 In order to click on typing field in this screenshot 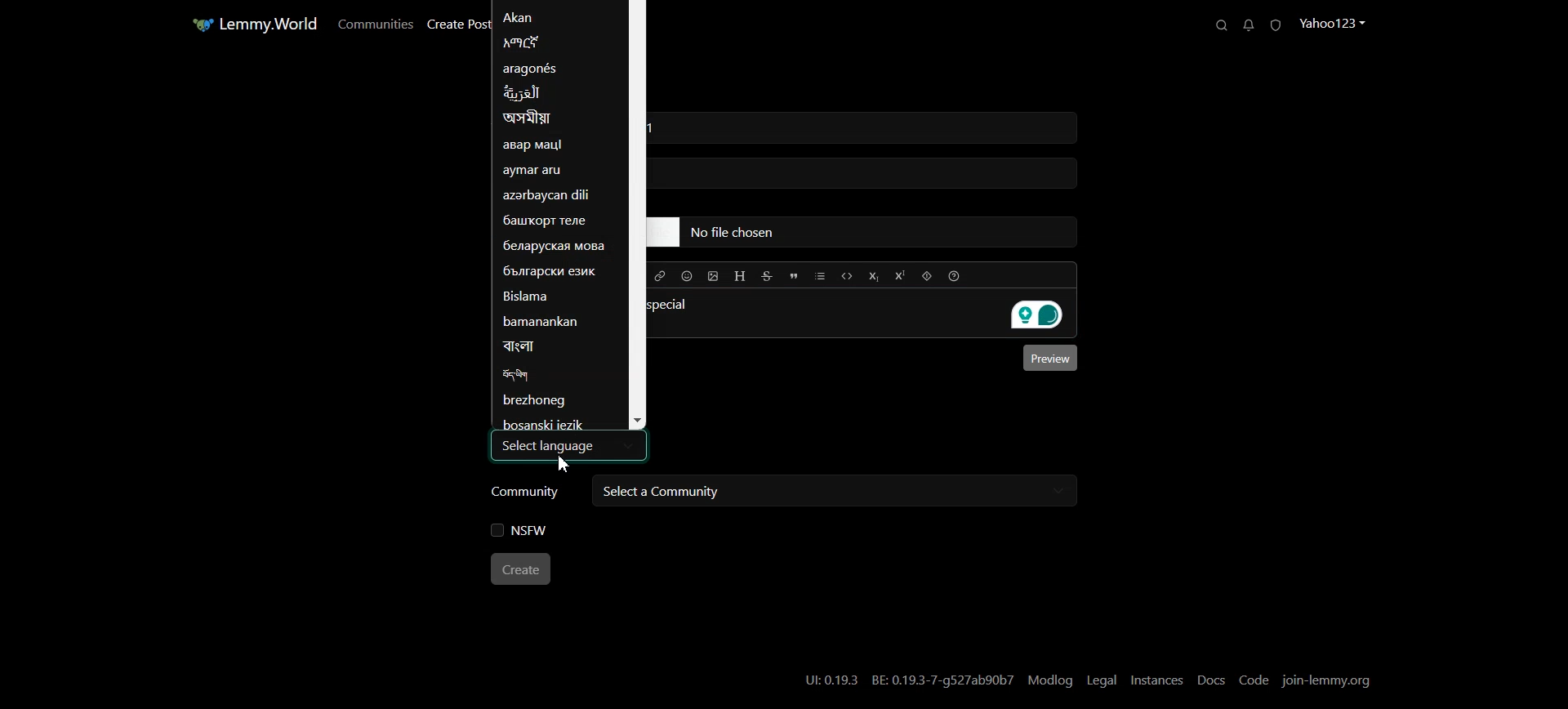, I will do `click(869, 175)`.